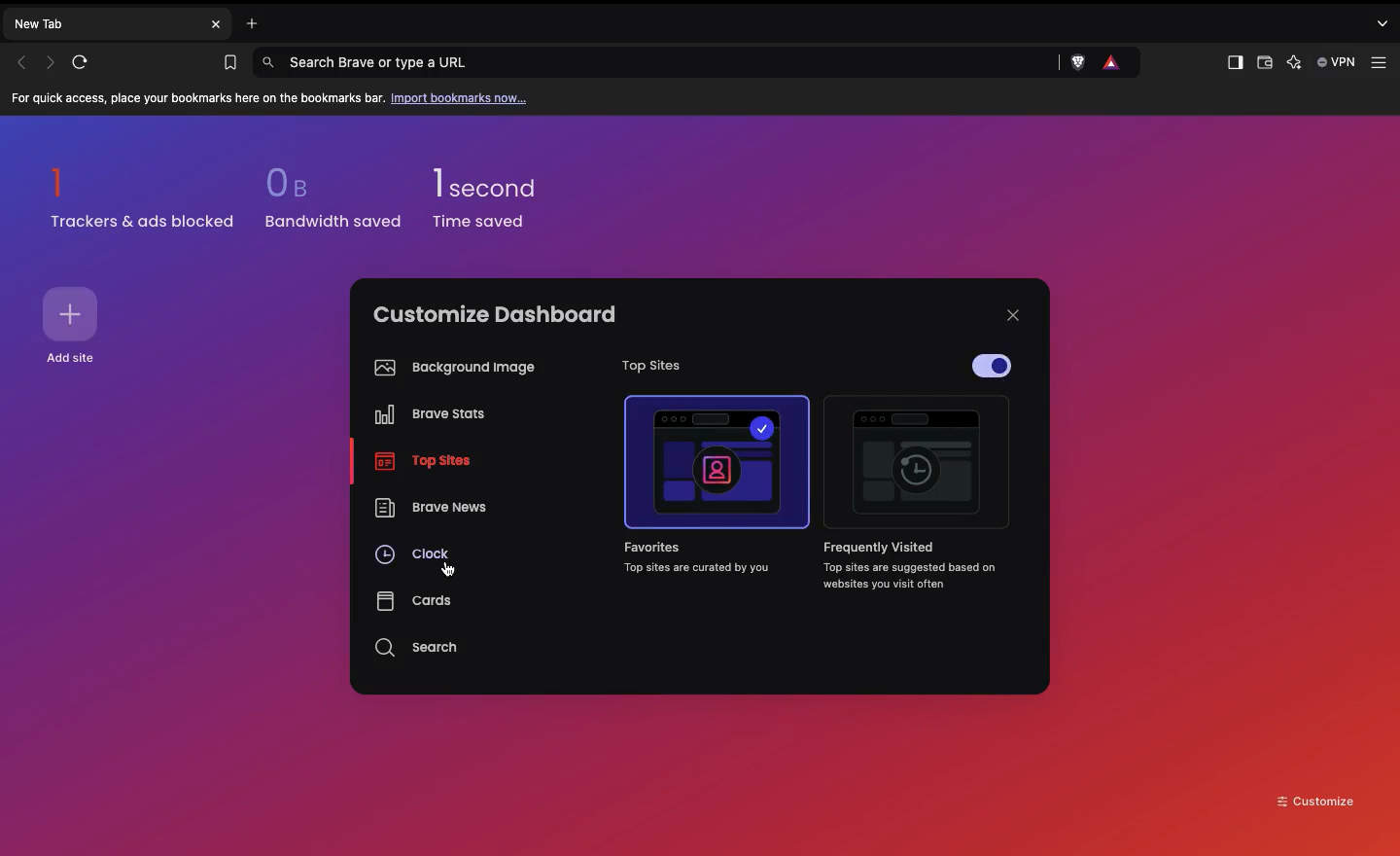 Image resolution: width=1400 pixels, height=856 pixels. What do you see at coordinates (21, 62) in the screenshot?
I see `Previous page` at bounding box center [21, 62].